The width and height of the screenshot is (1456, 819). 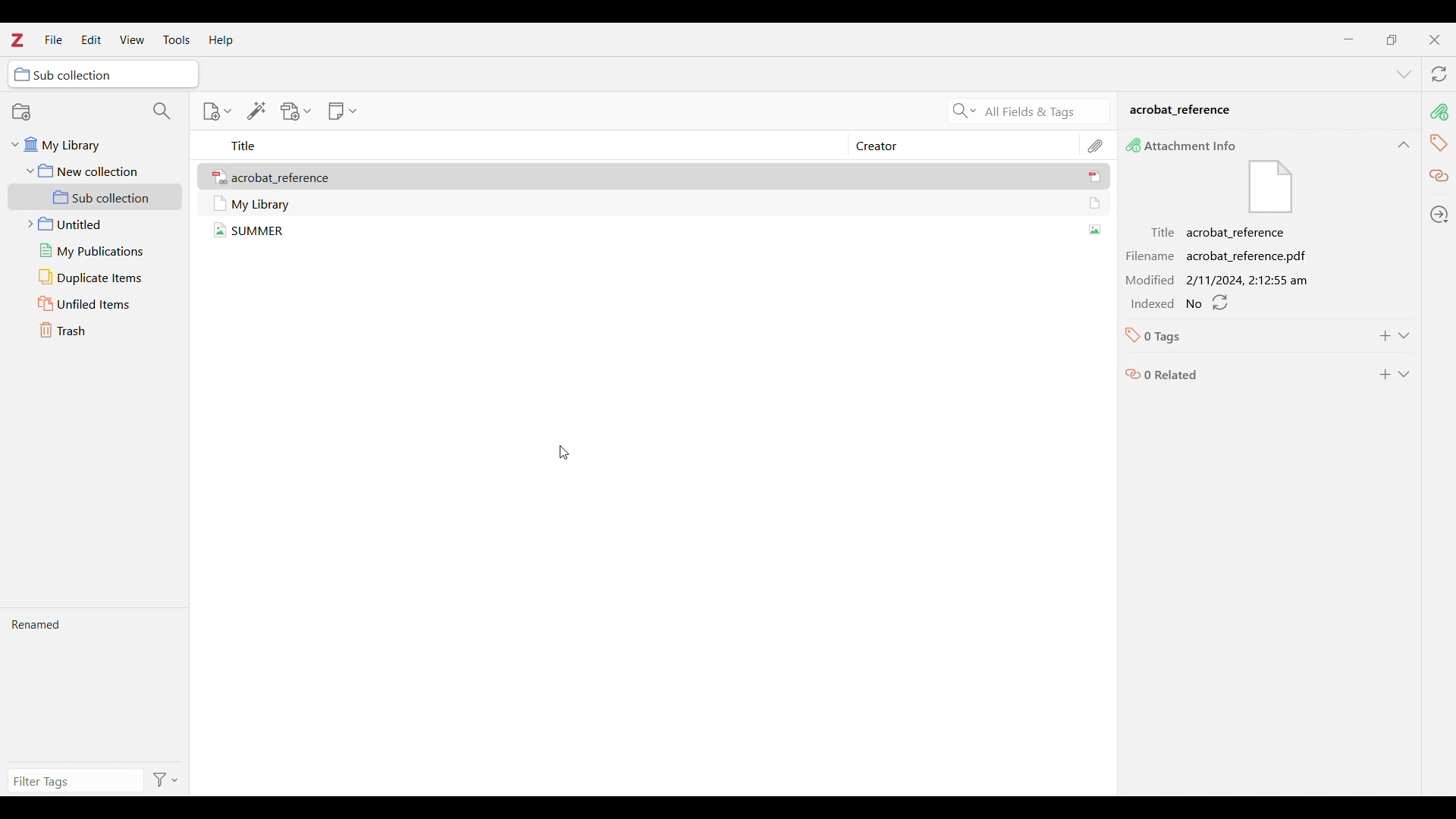 I want to click on Related, so click(x=1440, y=177).